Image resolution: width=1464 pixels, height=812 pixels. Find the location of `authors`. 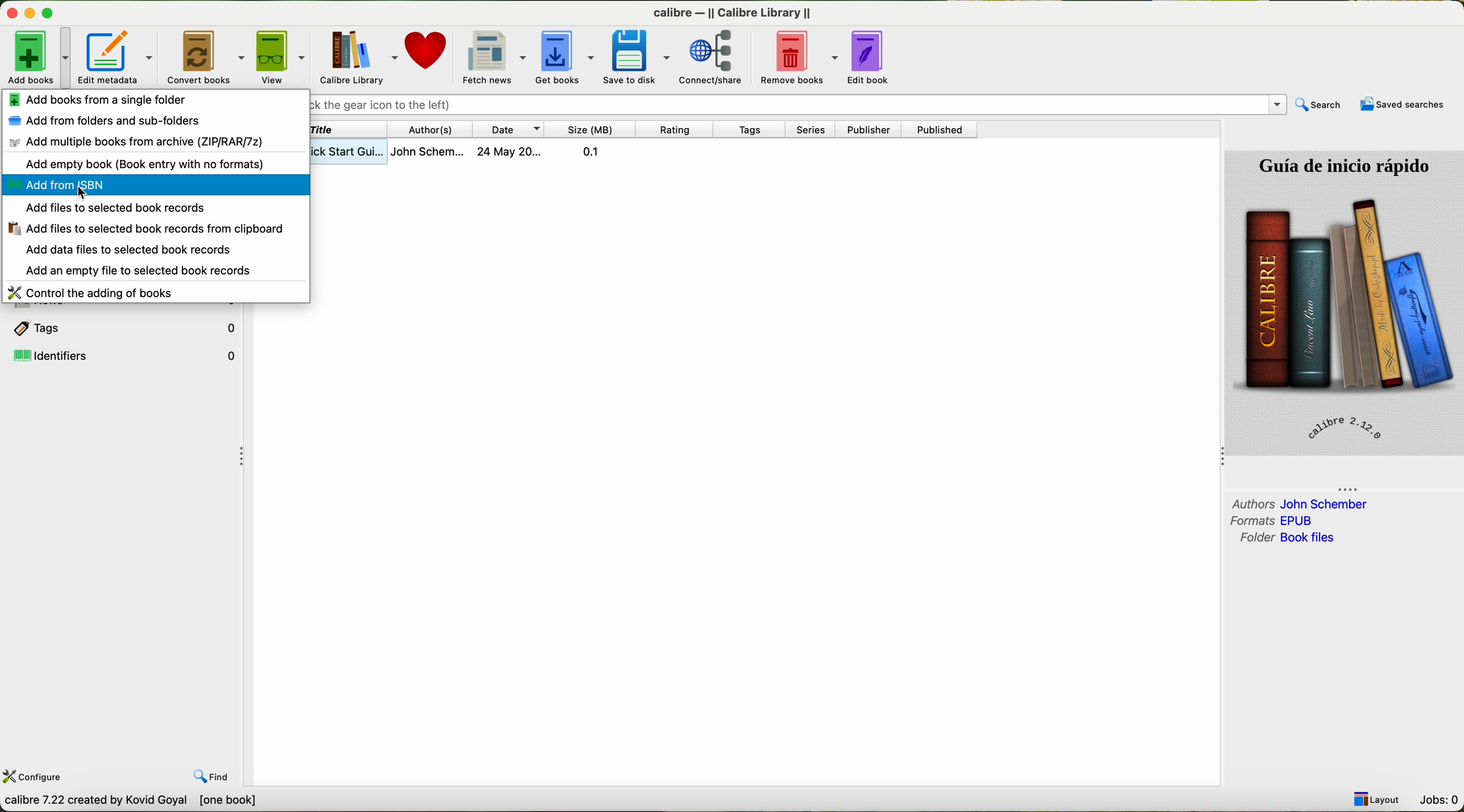

authors is located at coordinates (428, 128).